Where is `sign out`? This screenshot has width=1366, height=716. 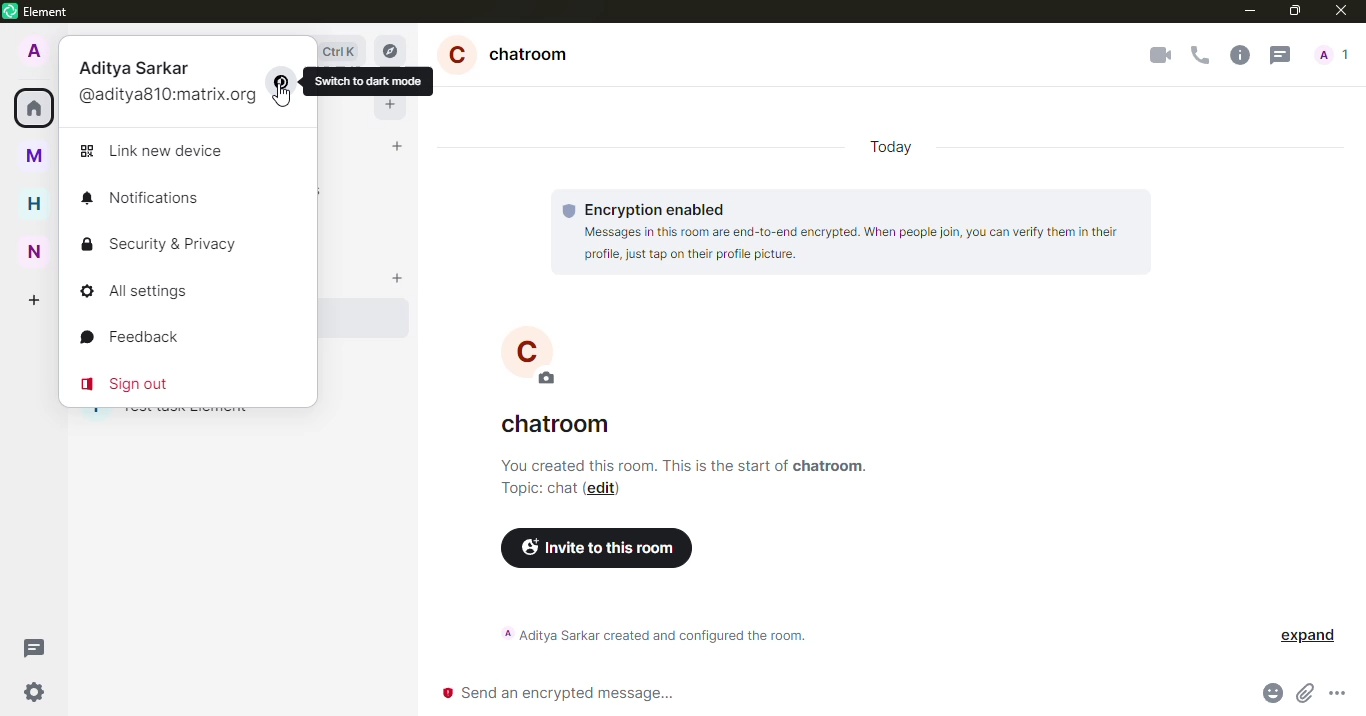 sign out is located at coordinates (129, 385).